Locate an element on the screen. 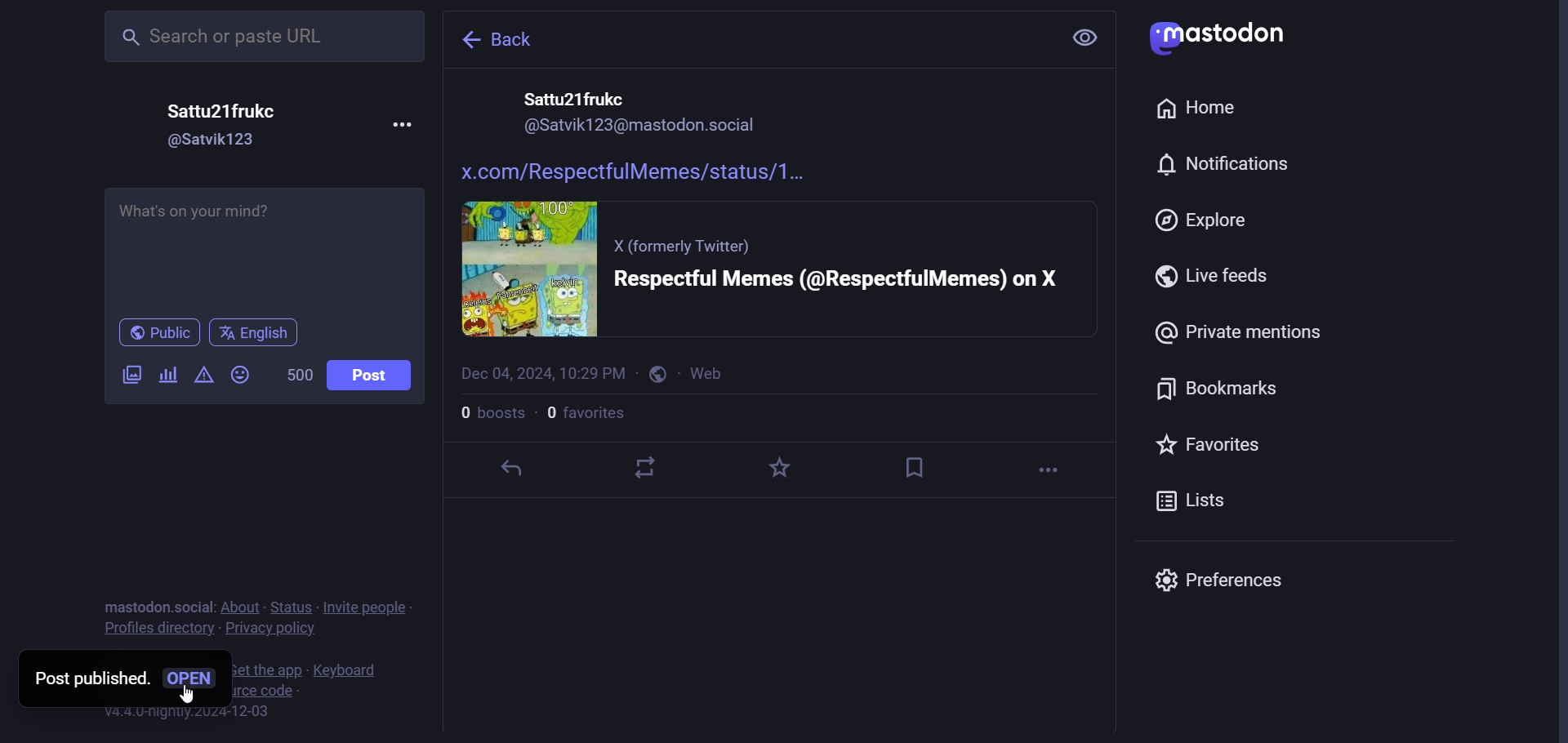 The width and height of the screenshot is (1568, 743). privacy policy is located at coordinates (270, 631).